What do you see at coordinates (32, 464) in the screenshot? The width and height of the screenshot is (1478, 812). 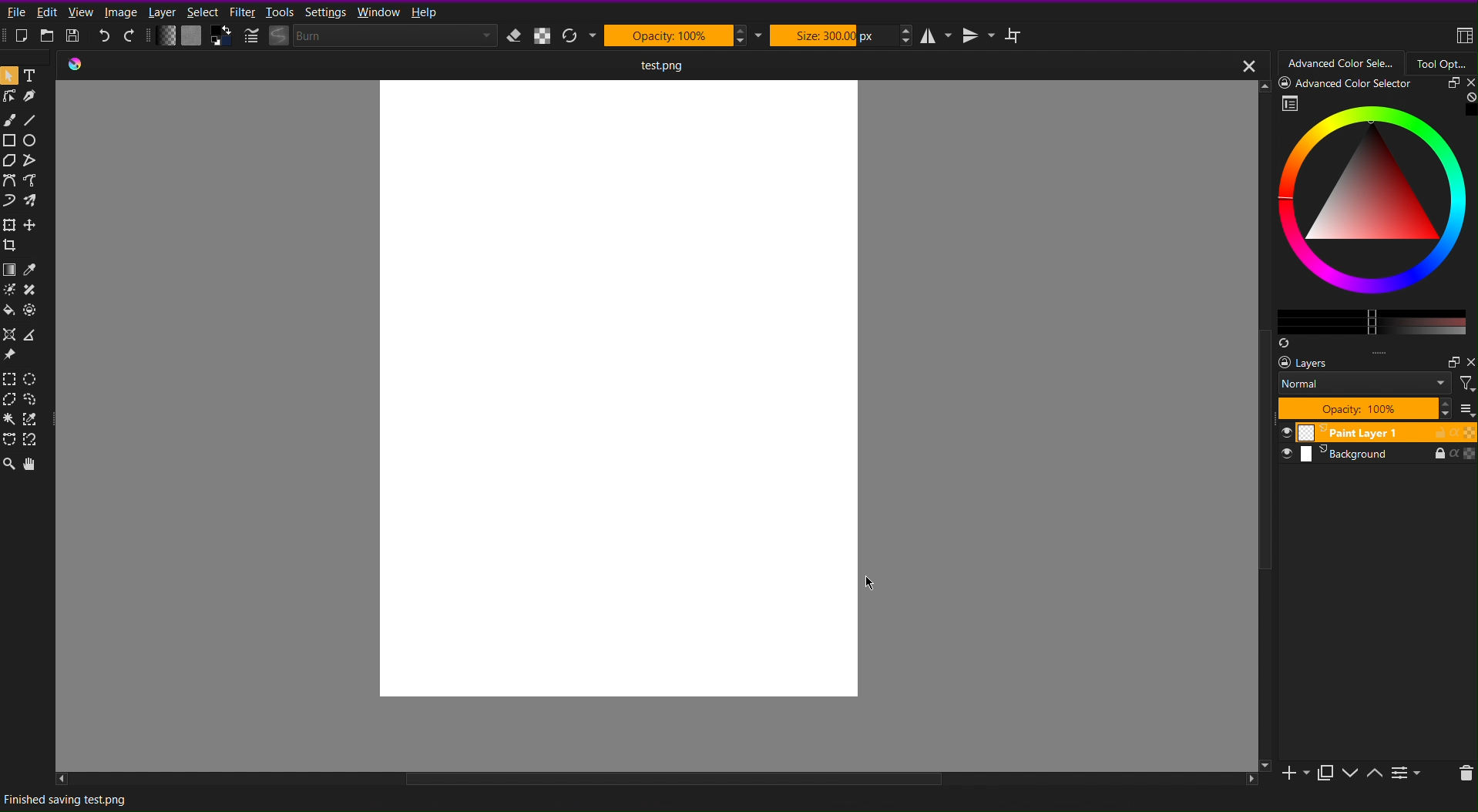 I see `Move` at bounding box center [32, 464].